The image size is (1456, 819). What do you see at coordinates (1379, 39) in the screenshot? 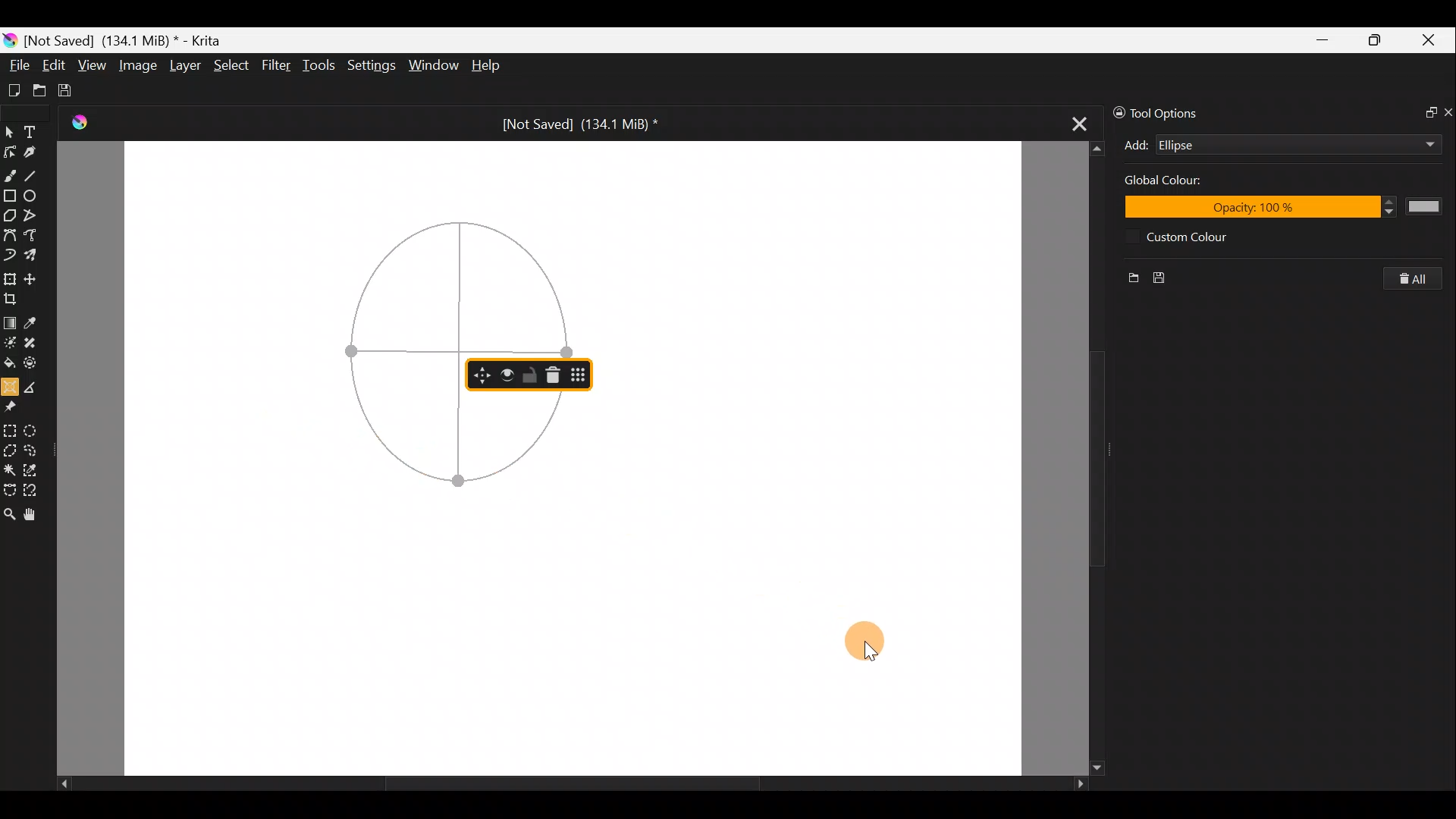
I see `Maximize` at bounding box center [1379, 39].